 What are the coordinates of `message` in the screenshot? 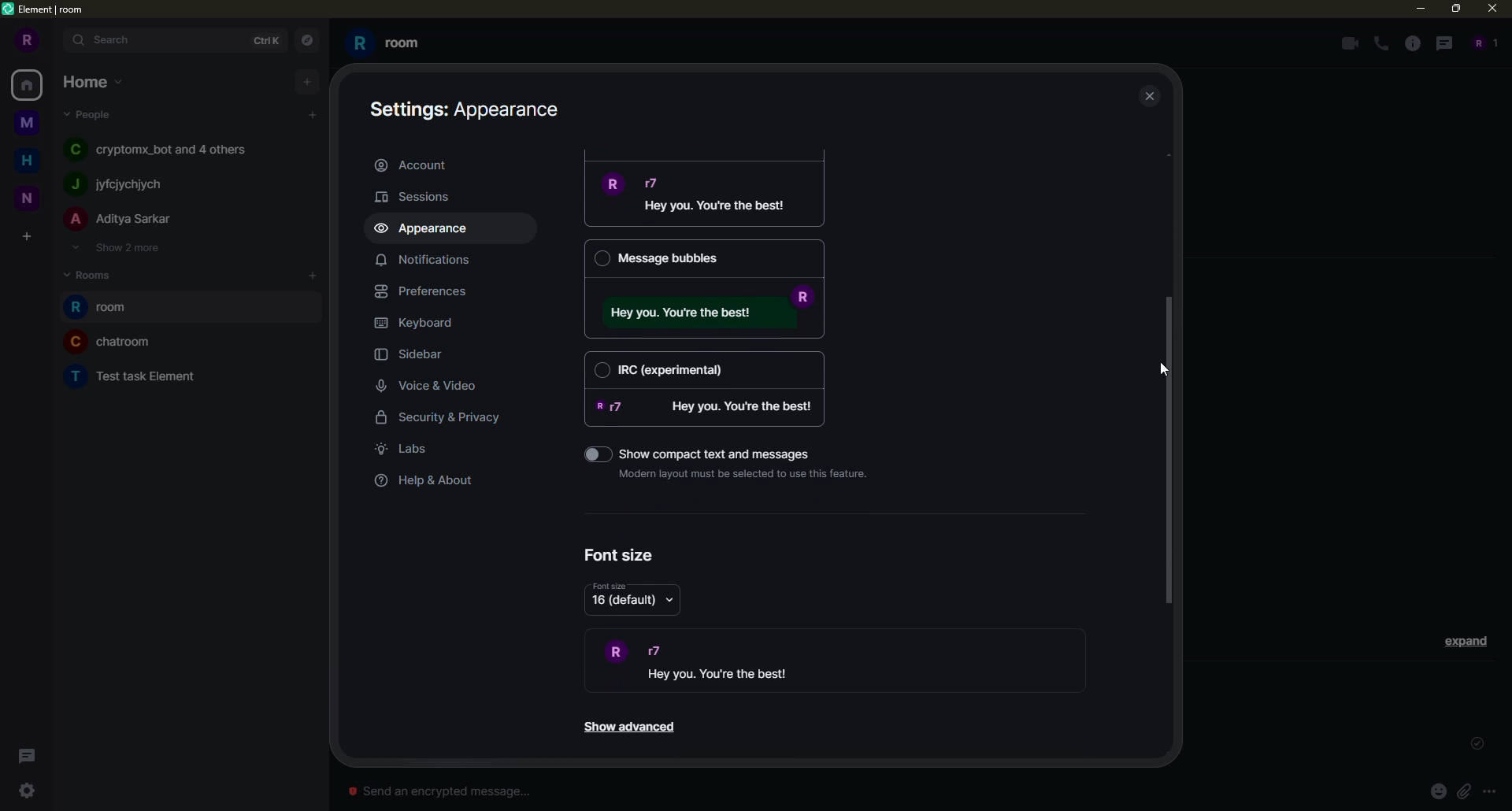 It's located at (710, 309).